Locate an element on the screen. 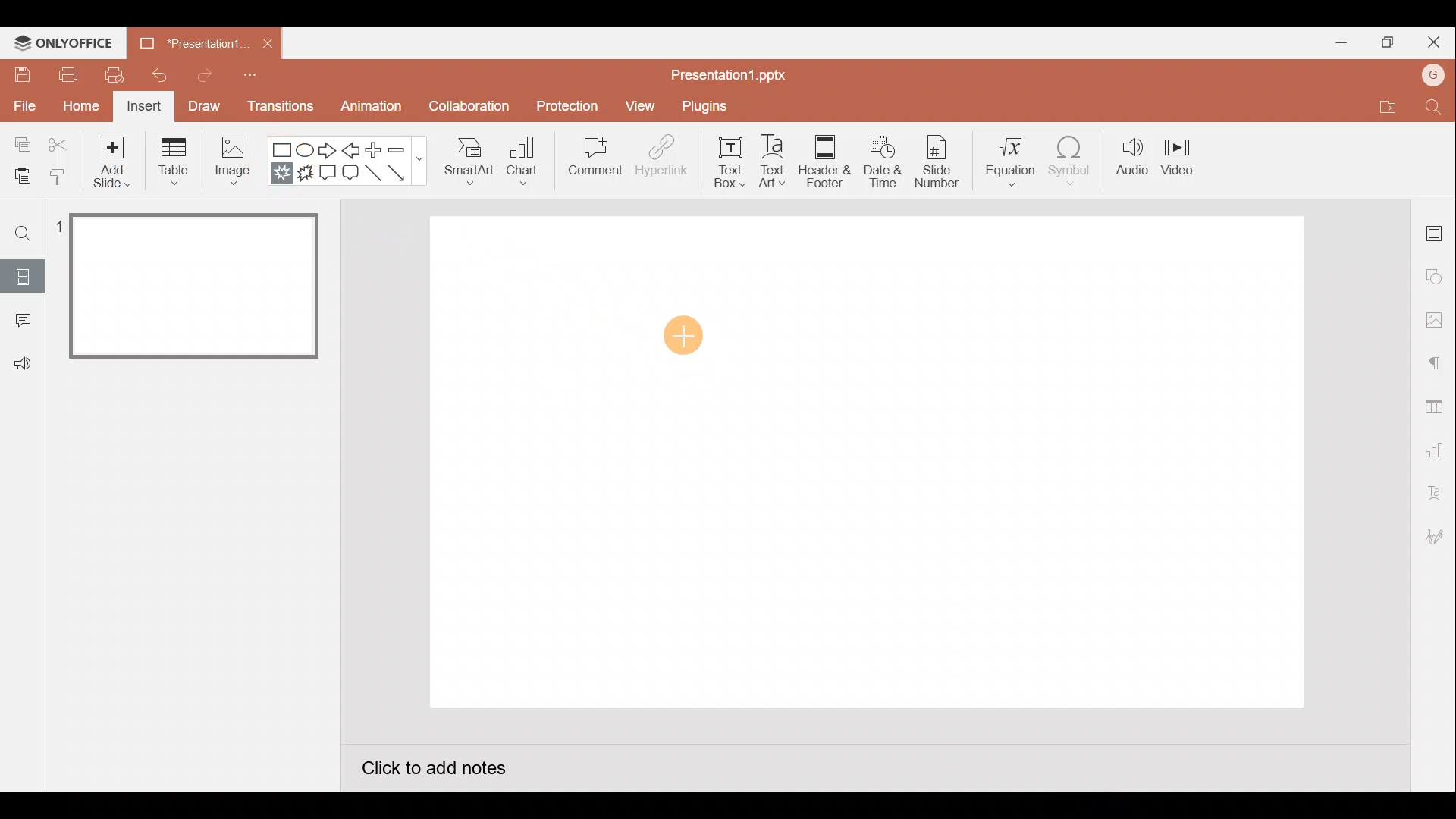 This screenshot has width=1456, height=819. Line is located at coordinates (372, 175).